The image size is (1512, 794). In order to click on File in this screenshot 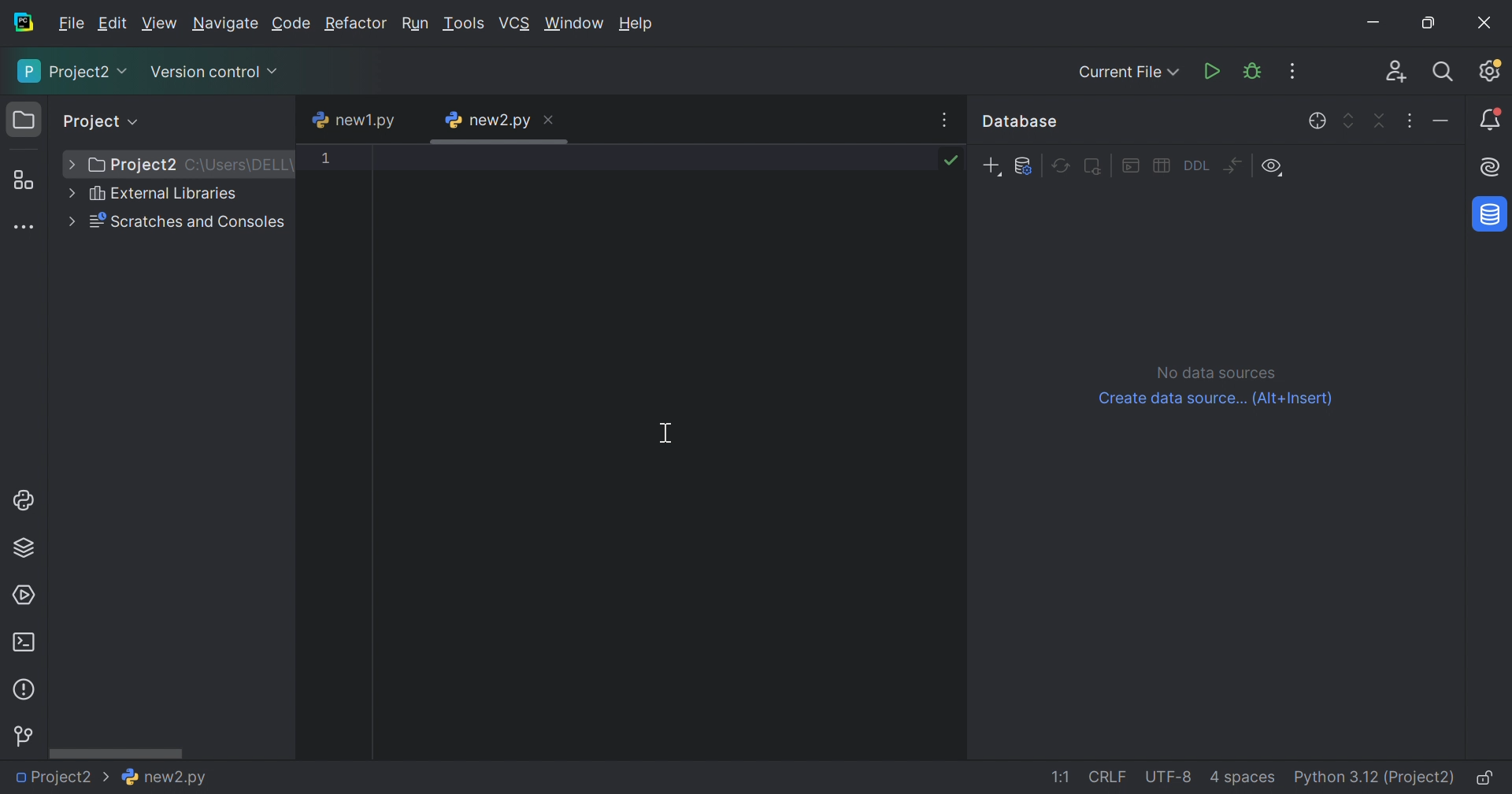, I will do `click(71, 24)`.